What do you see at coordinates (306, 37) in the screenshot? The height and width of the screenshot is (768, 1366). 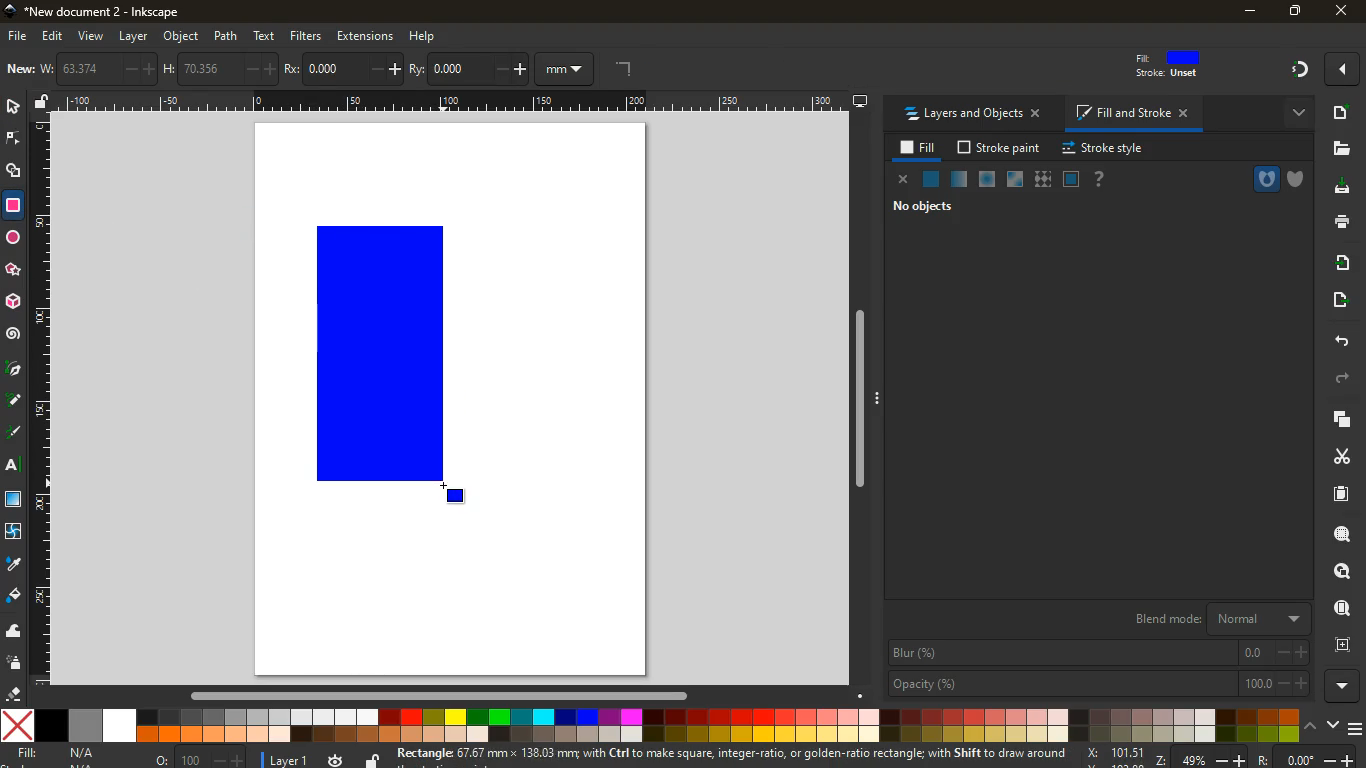 I see `filters` at bounding box center [306, 37].